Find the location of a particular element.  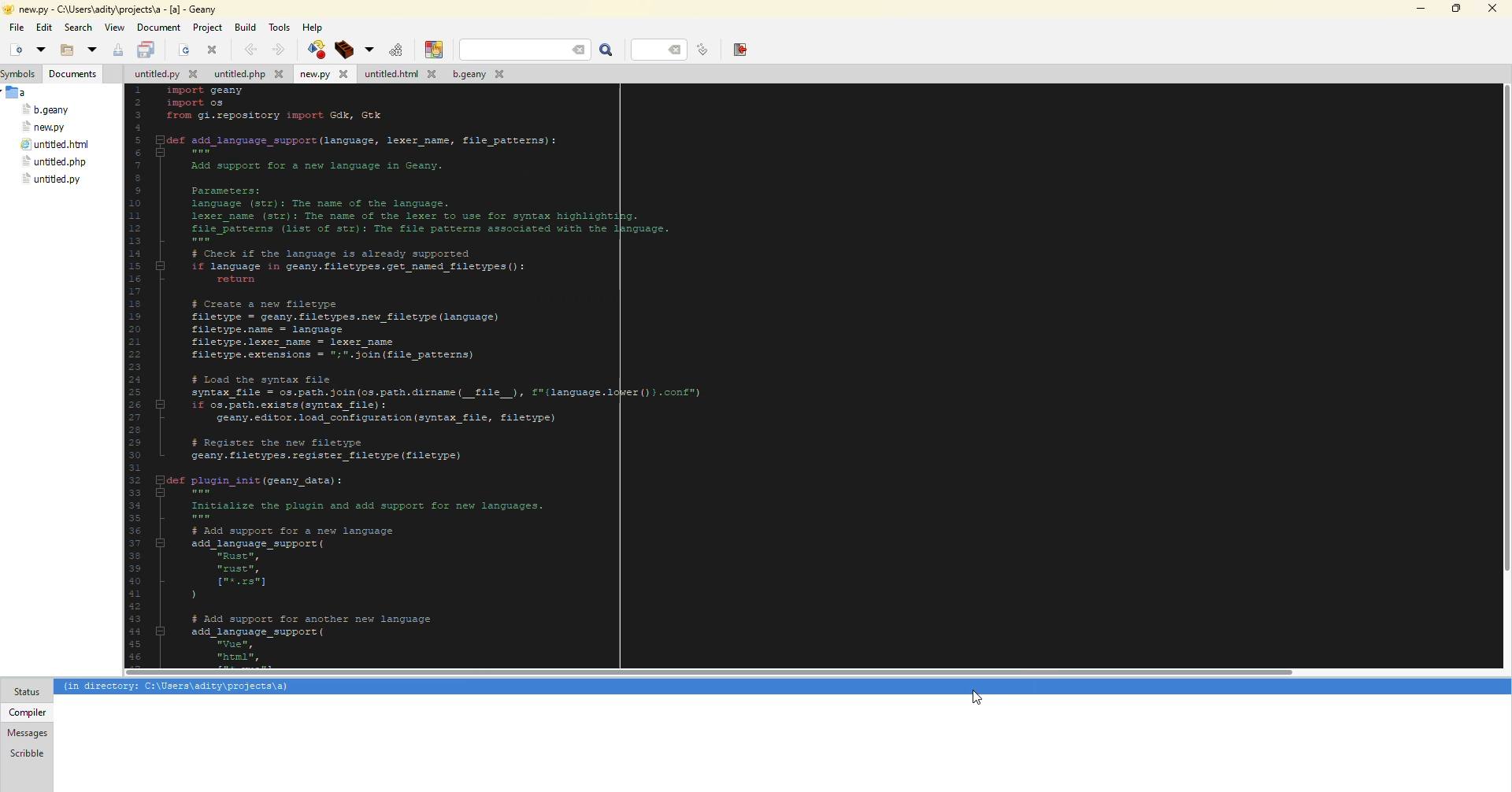

build is located at coordinates (342, 50).